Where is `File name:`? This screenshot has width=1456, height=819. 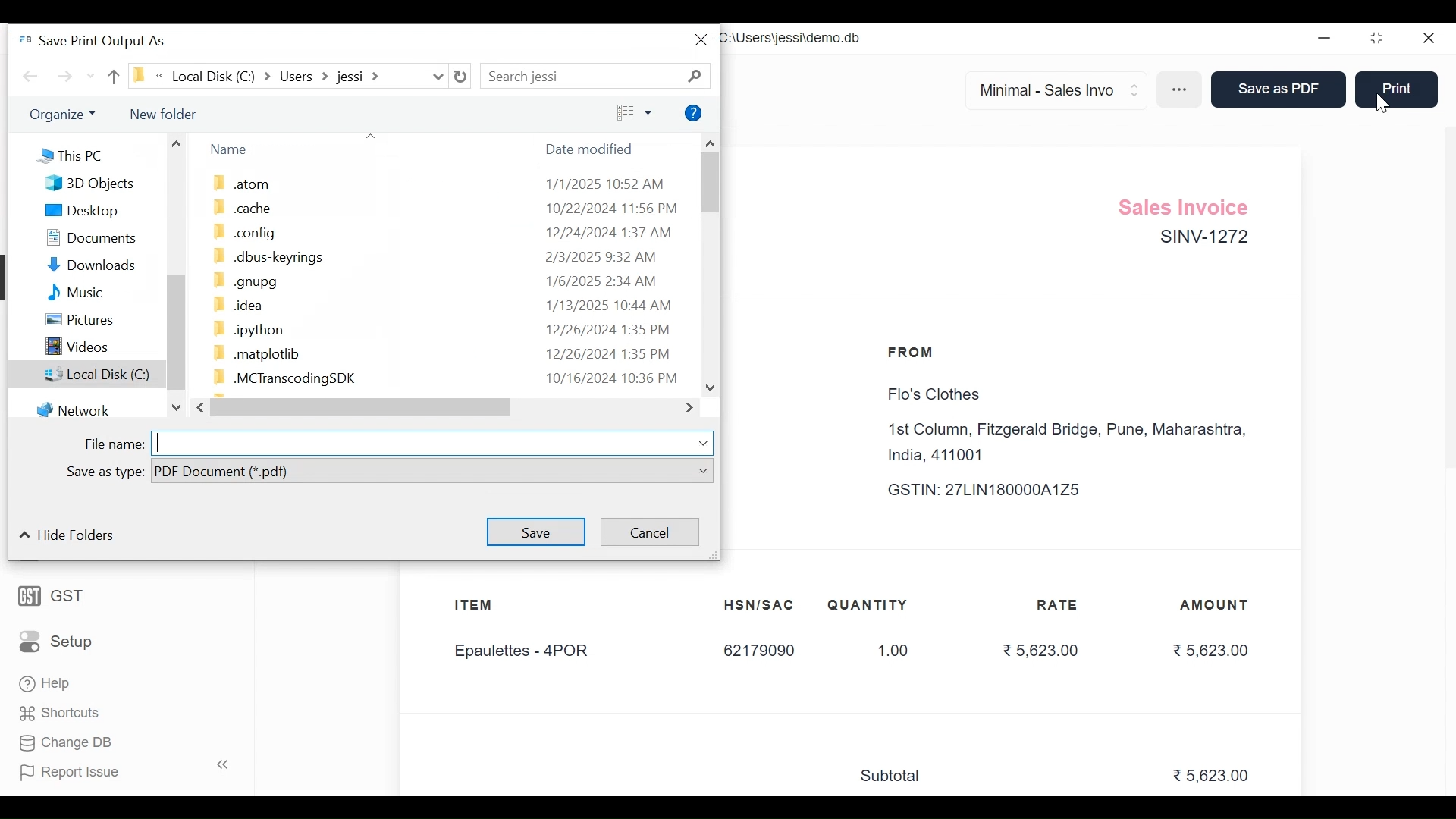 File name: is located at coordinates (114, 444).